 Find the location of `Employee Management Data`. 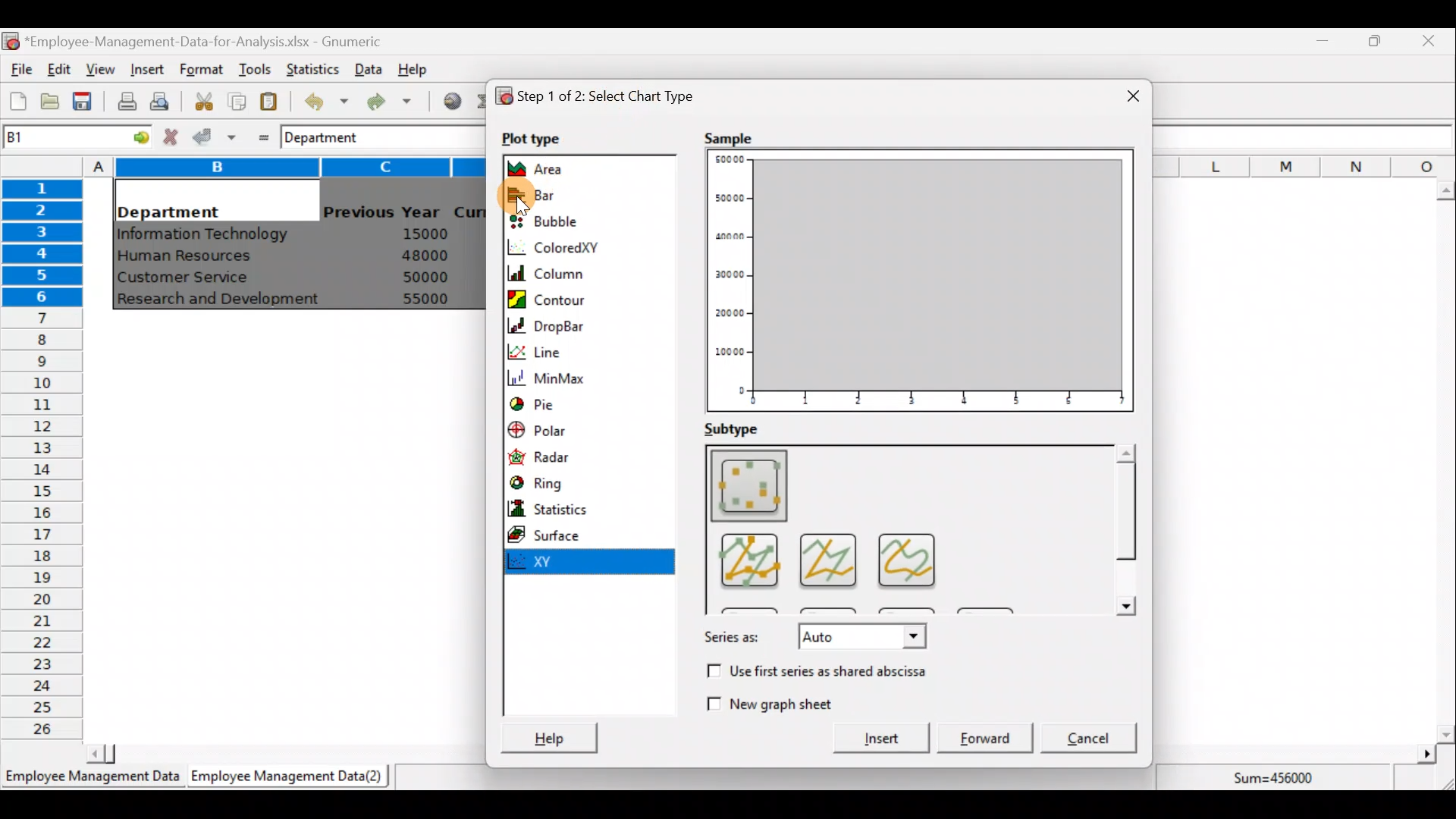

Employee Management Data is located at coordinates (91, 781).